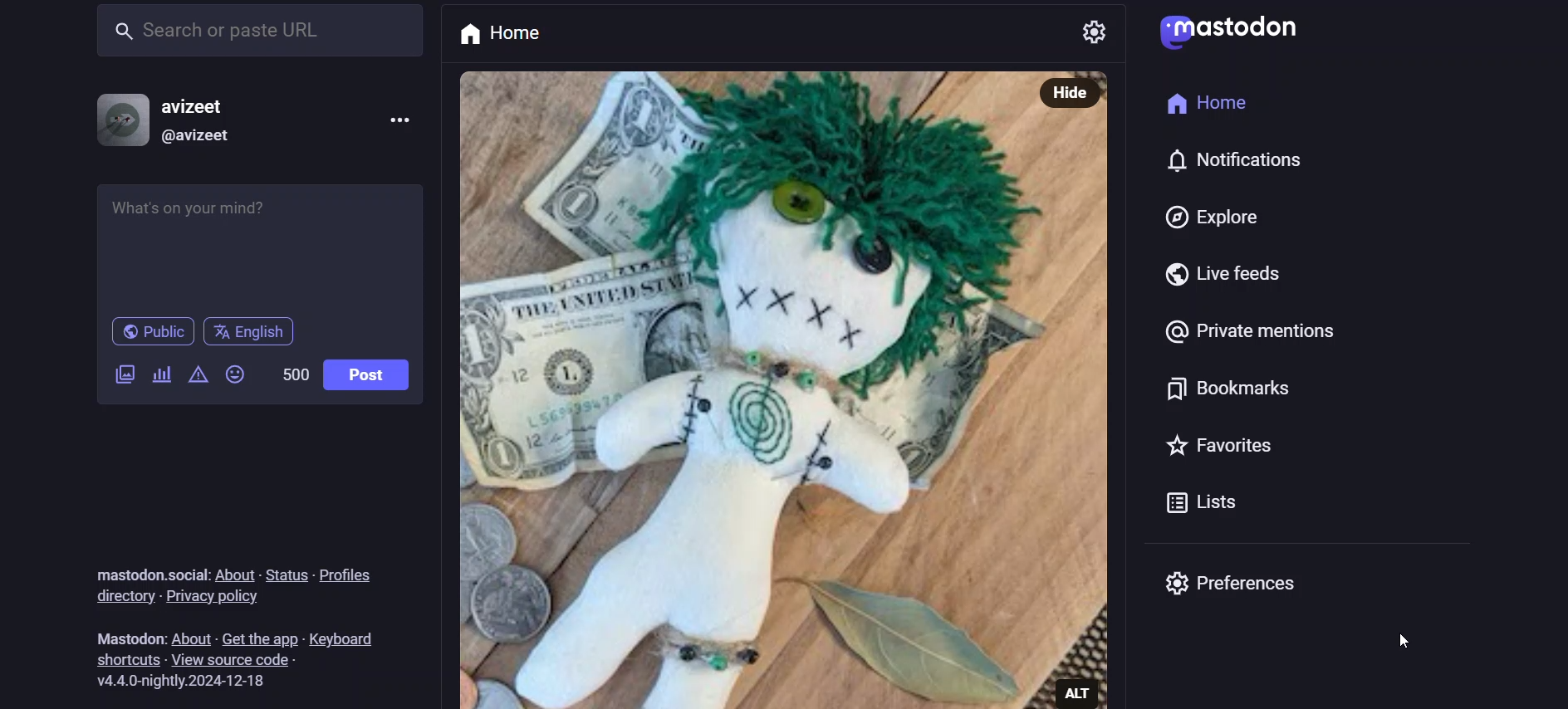 The width and height of the screenshot is (1568, 709). What do you see at coordinates (1250, 333) in the screenshot?
I see `private mentions` at bounding box center [1250, 333].